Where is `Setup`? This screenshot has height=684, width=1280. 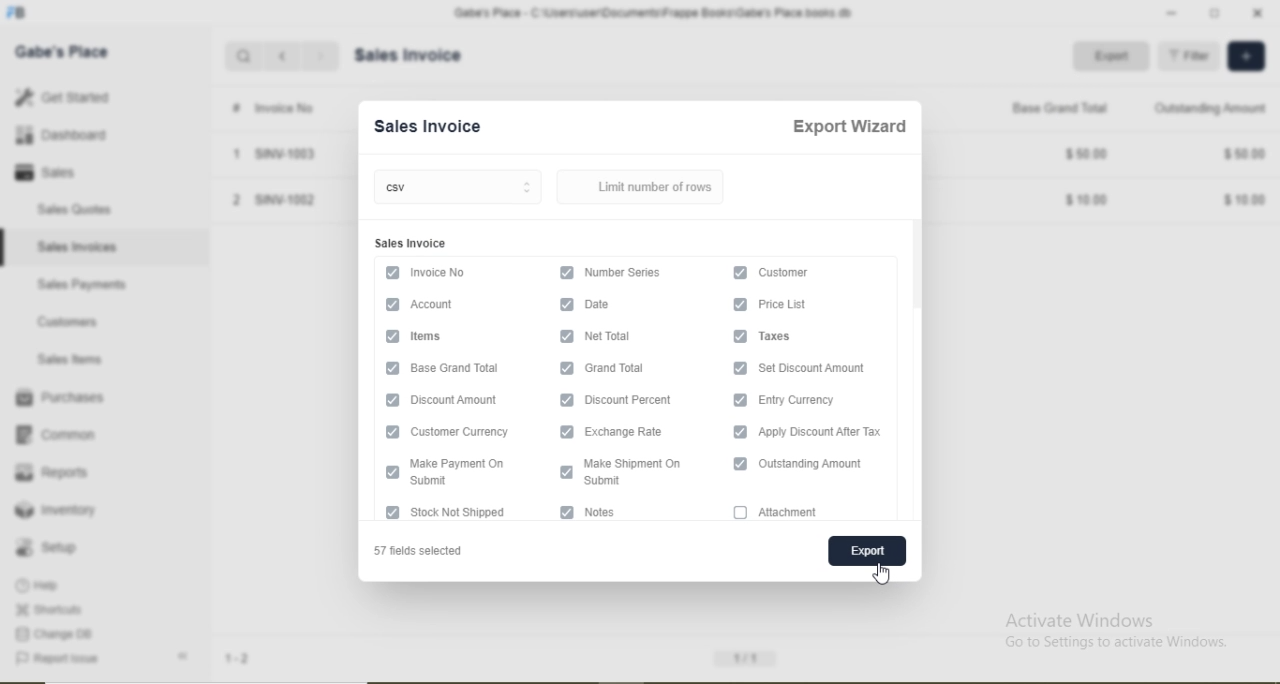 Setup is located at coordinates (54, 547).